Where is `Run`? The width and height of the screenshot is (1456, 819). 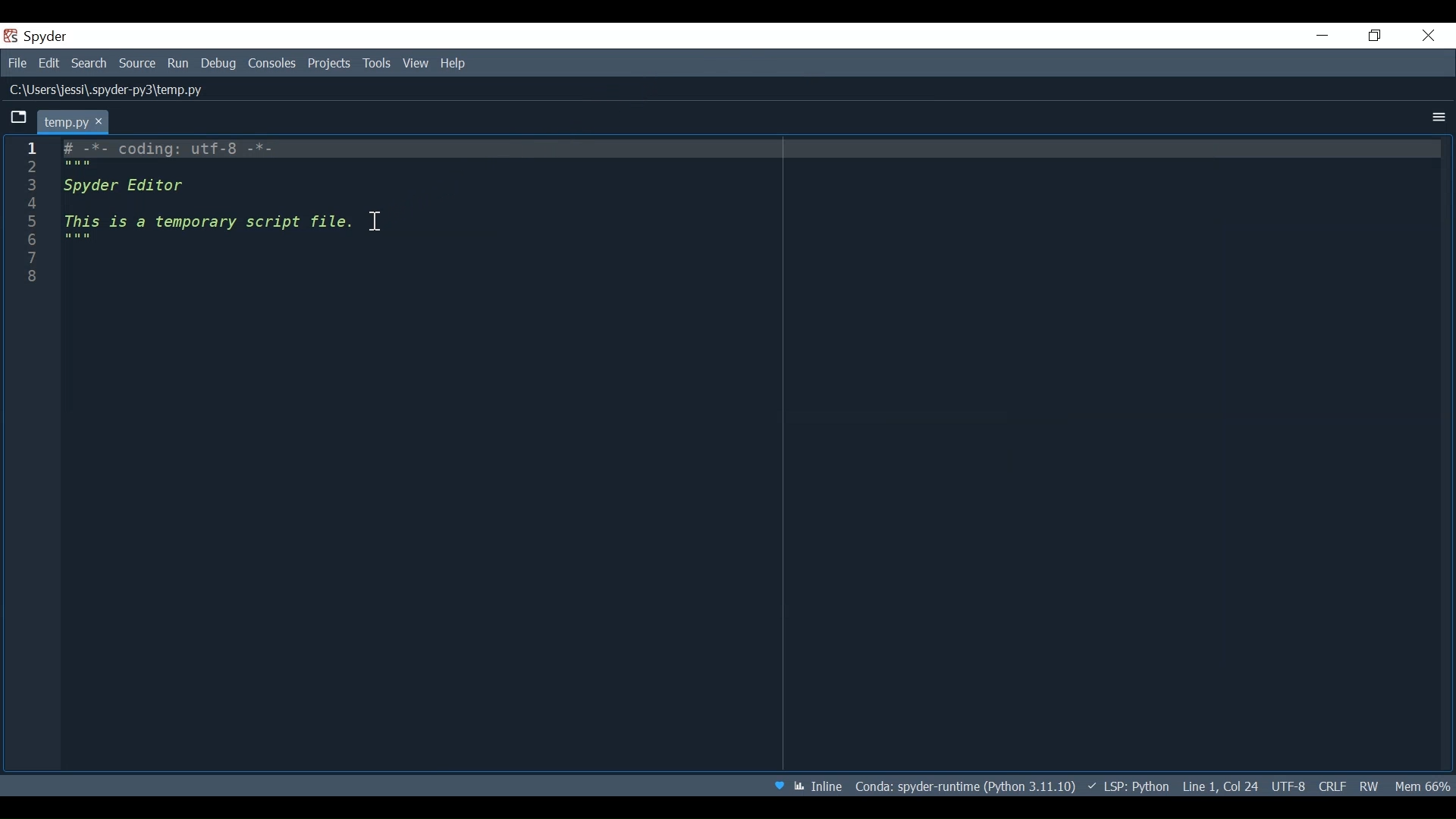 Run is located at coordinates (180, 64).